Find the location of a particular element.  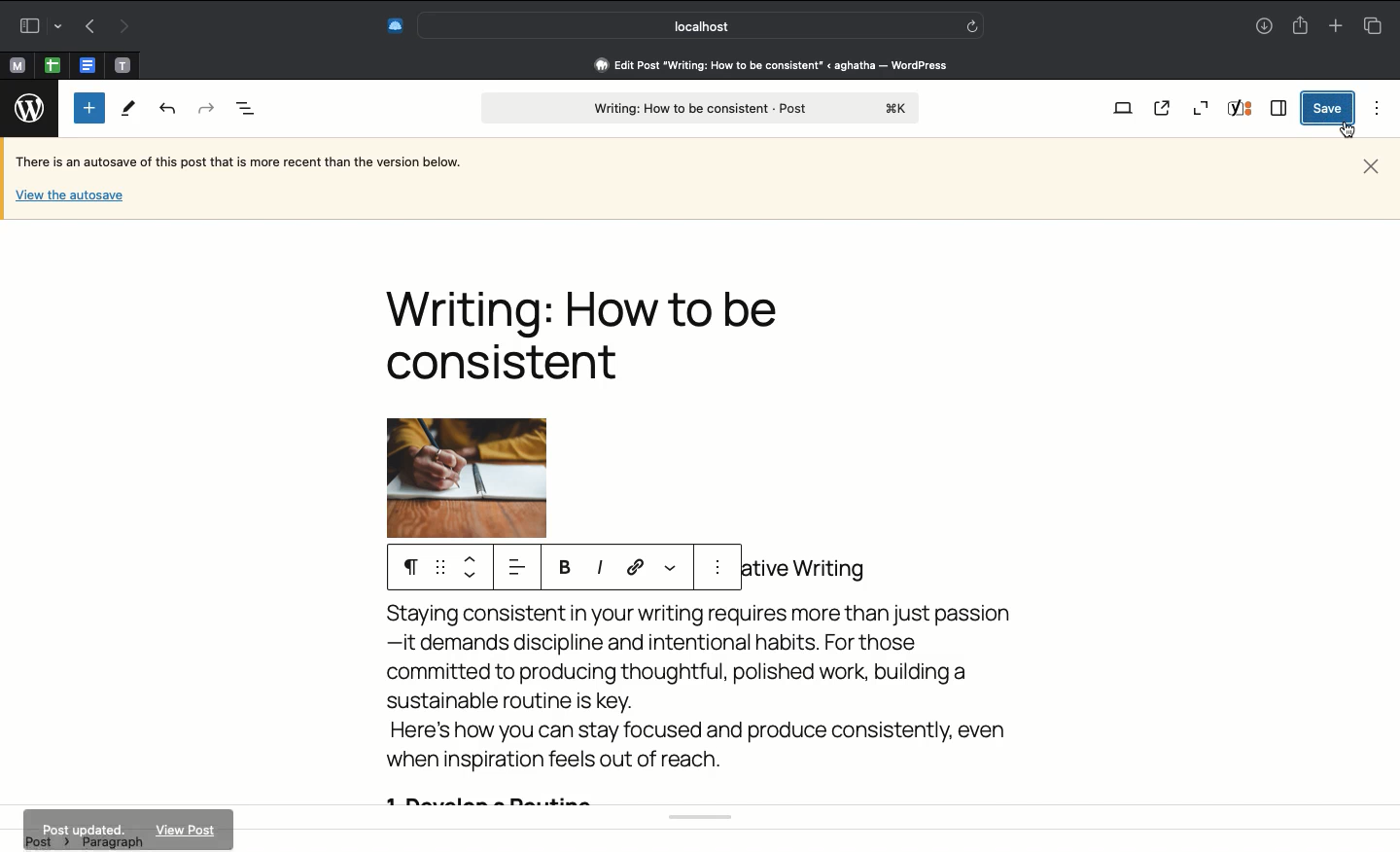

Options is located at coordinates (720, 571).